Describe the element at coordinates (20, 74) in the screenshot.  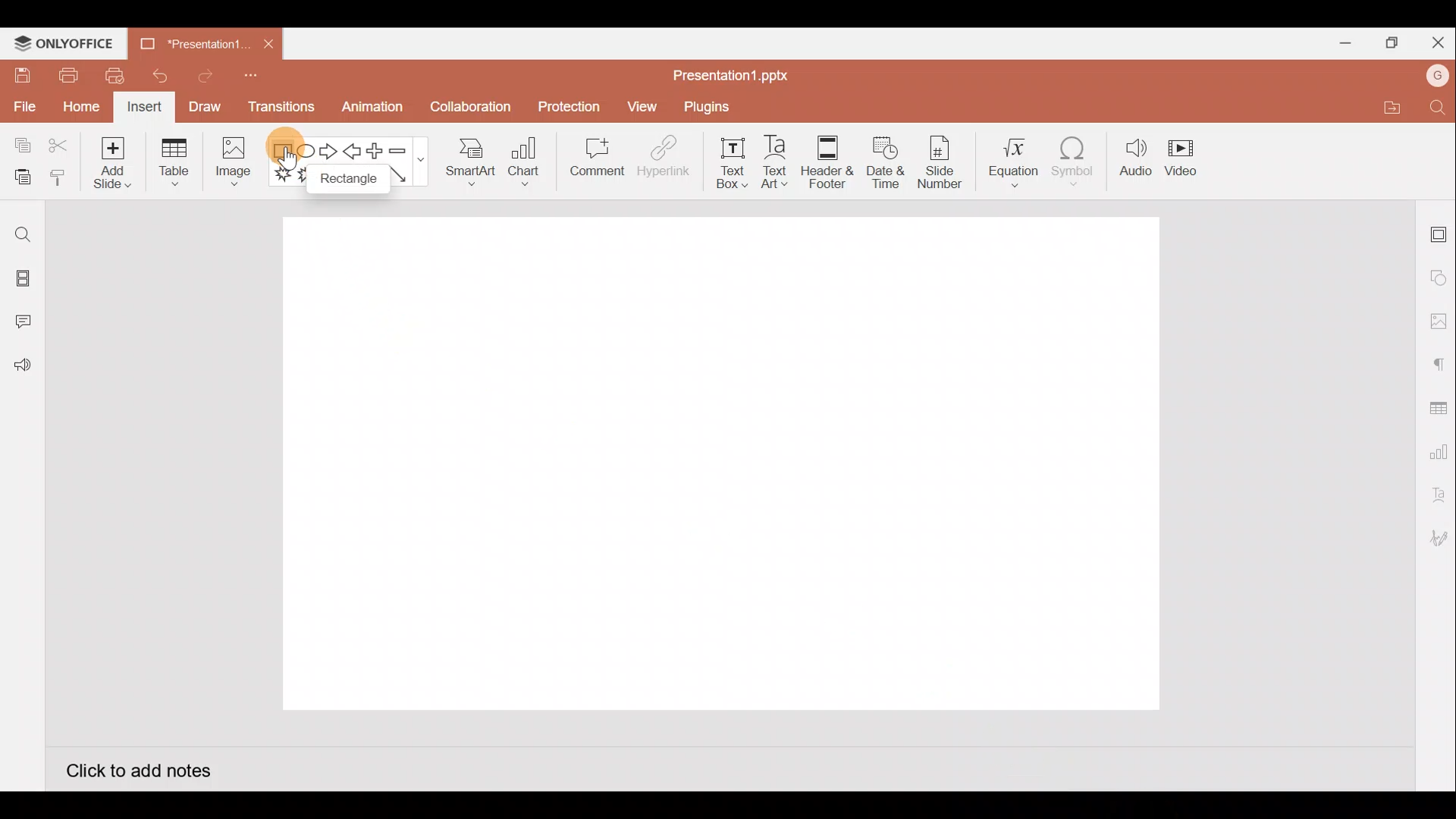
I see `Save` at that location.